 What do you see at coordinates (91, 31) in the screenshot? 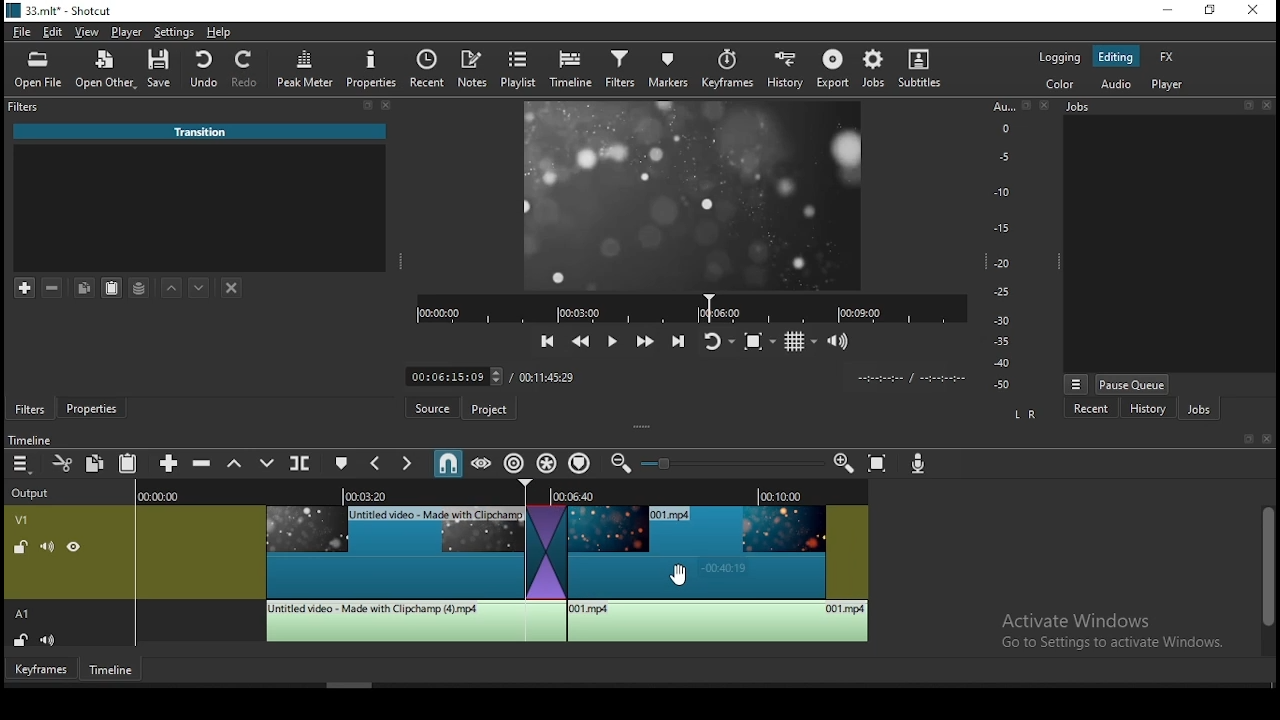
I see `view` at bounding box center [91, 31].